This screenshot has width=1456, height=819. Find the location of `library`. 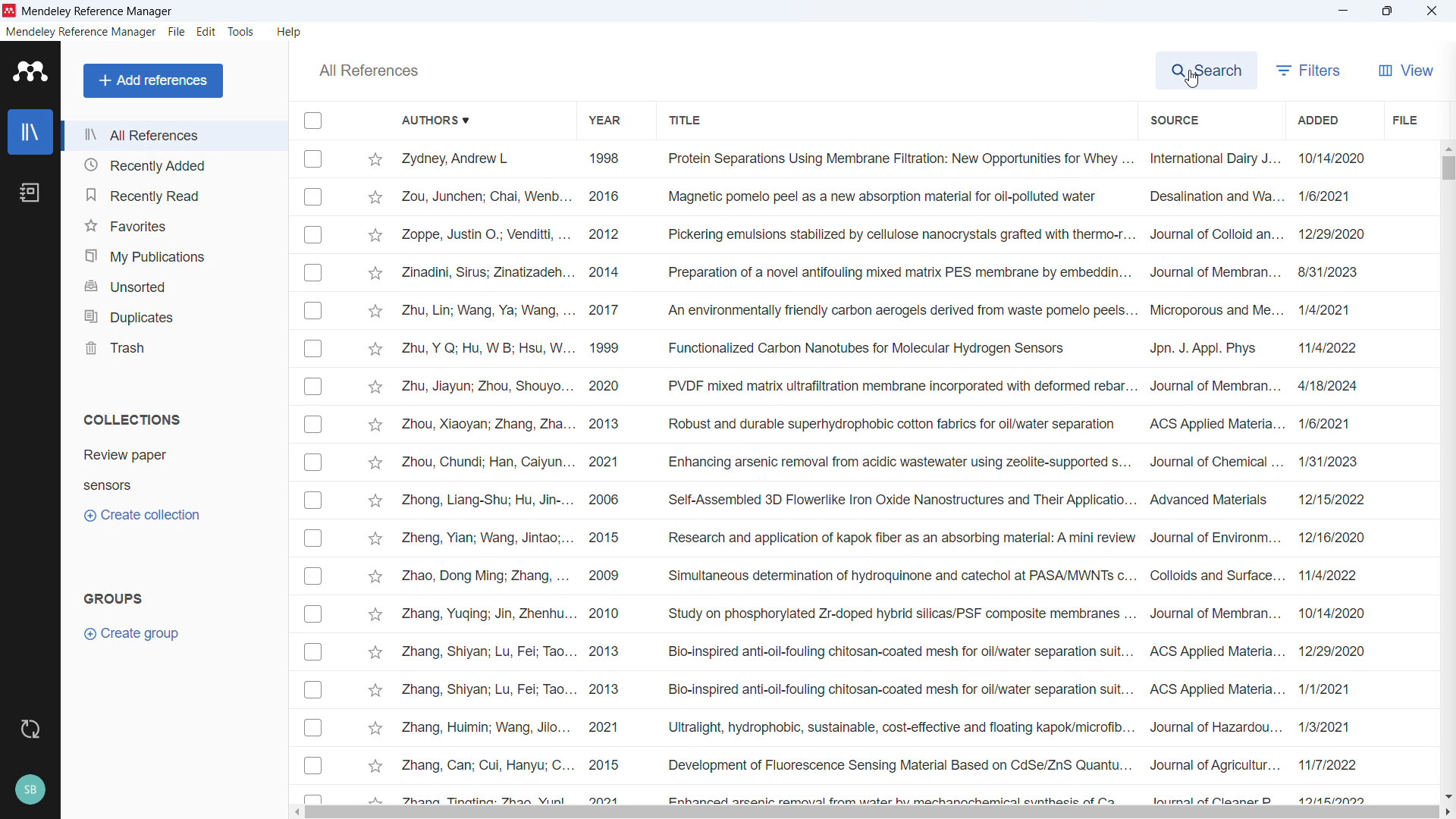

library is located at coordinates (30, 131).